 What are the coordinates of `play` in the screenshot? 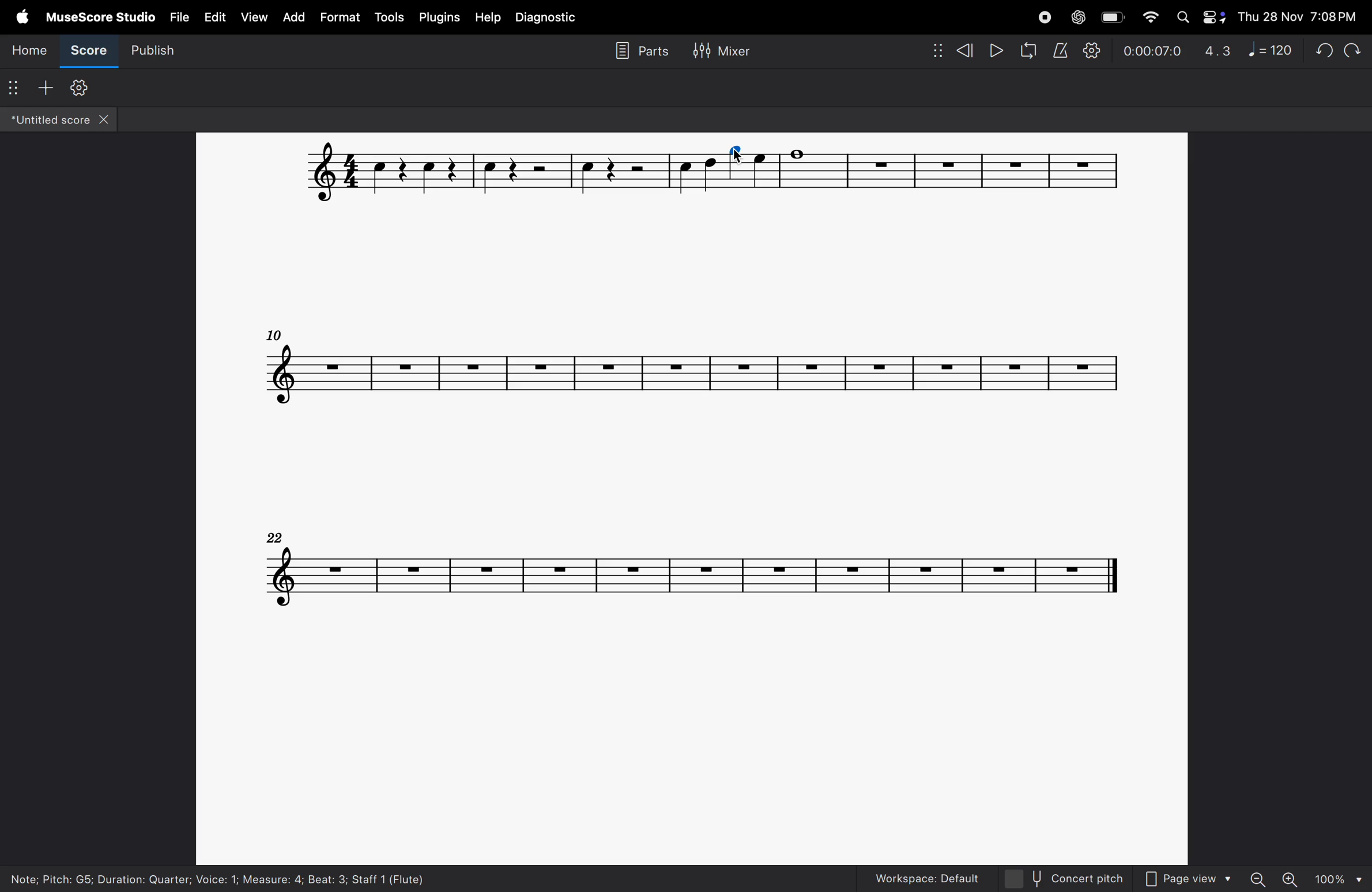 It's located at (997, 52).